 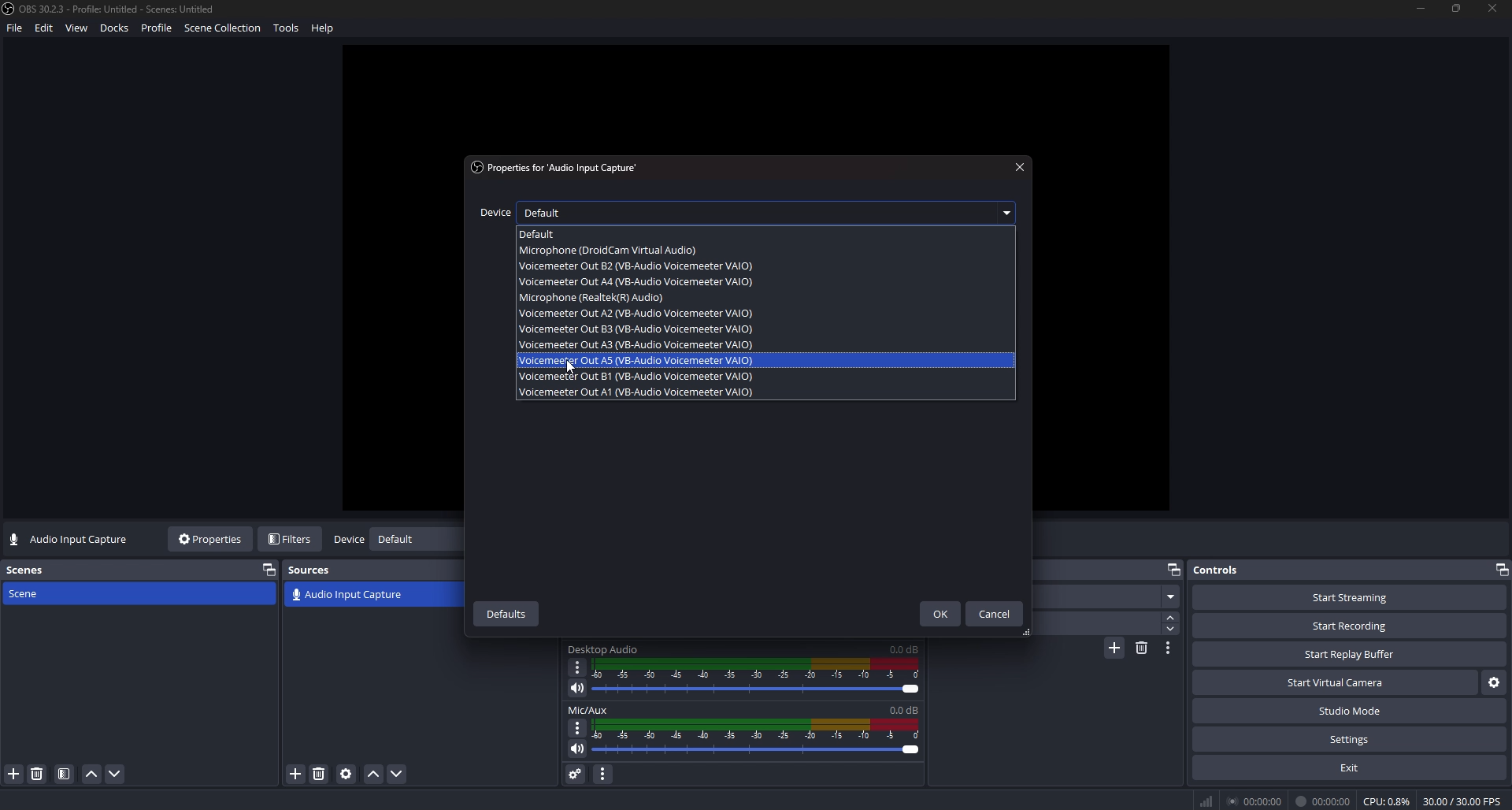 What do you see at coordinates (1493, 10) in the screenshot?
I see `close` at bounding box center [1493, 10].